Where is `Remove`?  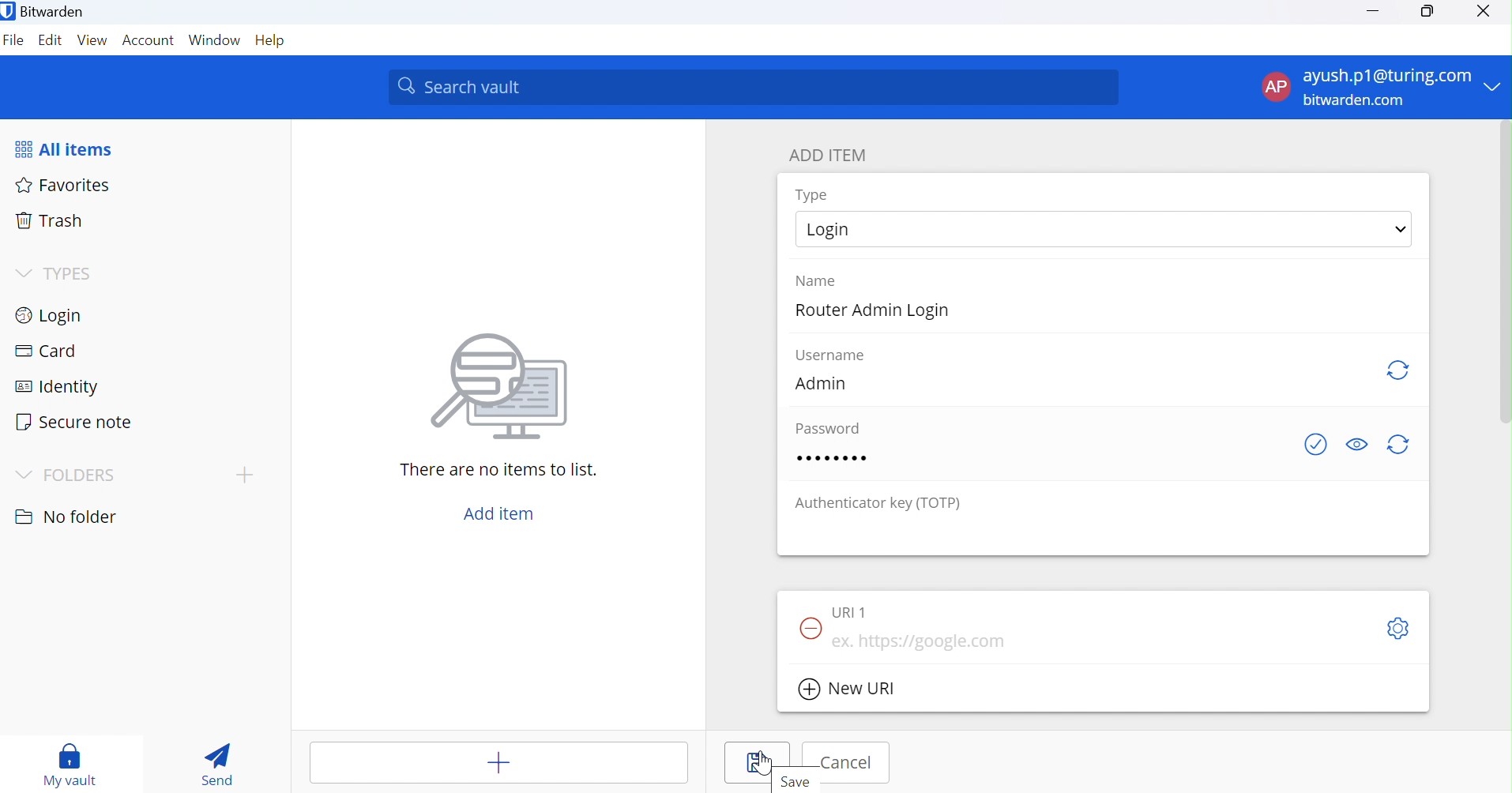
Remove is located at coordinates (810, 630).